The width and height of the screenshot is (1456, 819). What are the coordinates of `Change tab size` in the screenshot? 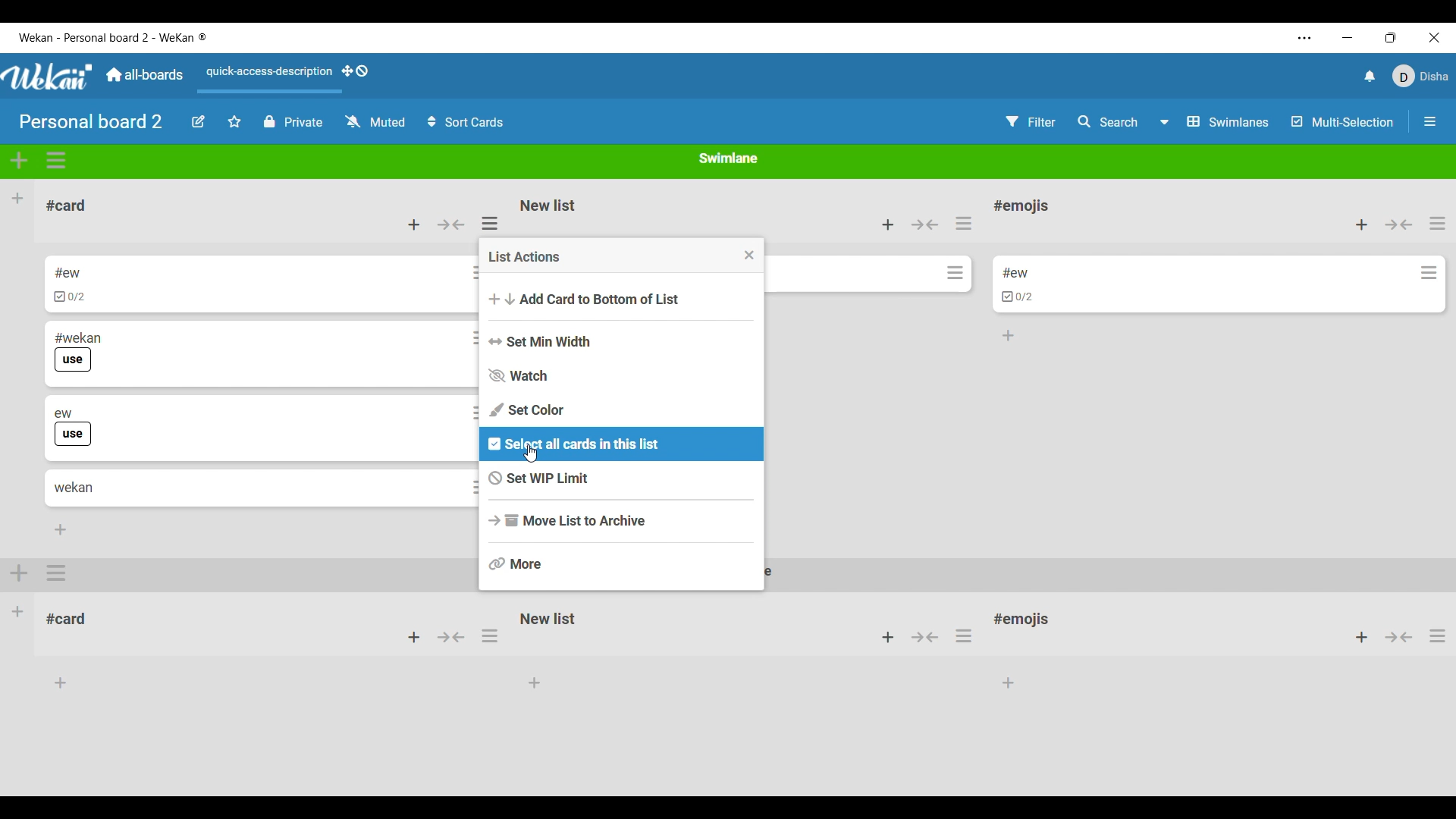 It's located at (1391, 37).